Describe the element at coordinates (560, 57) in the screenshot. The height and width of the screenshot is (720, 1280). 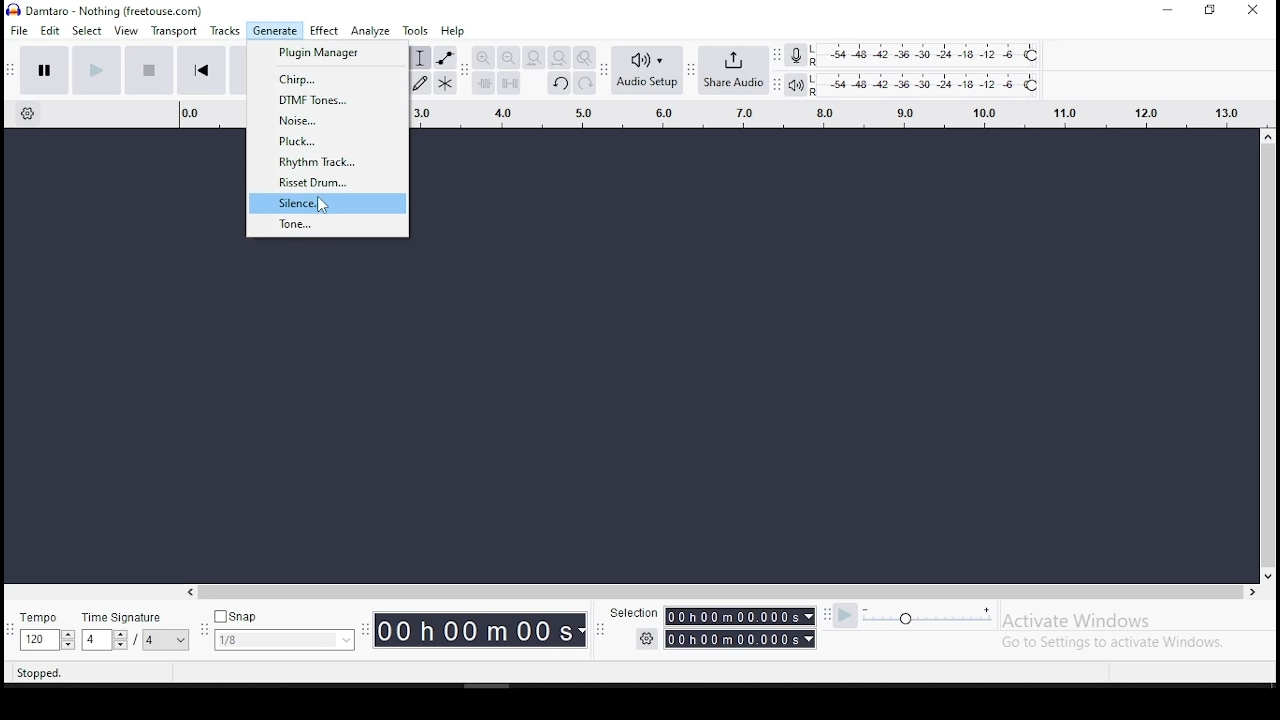
I see `fit project to width` at that location.